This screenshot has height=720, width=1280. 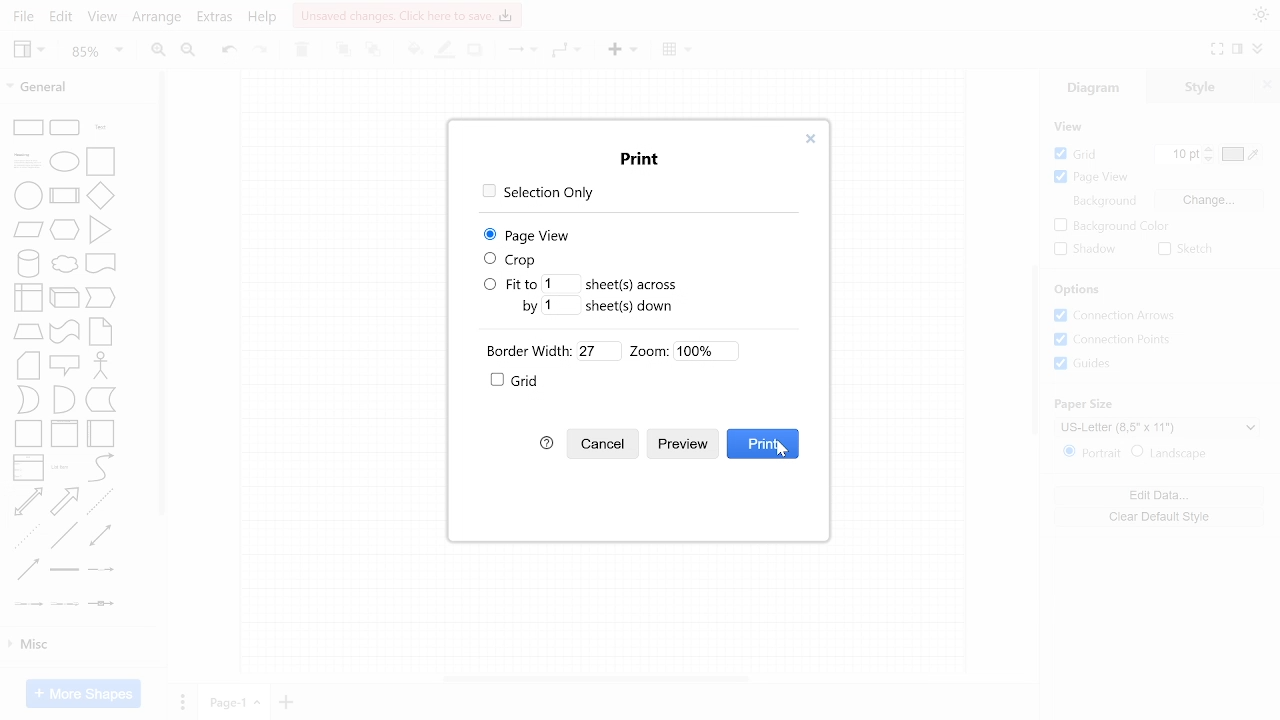 I want to click on Style, so click(x=1200, y=86).